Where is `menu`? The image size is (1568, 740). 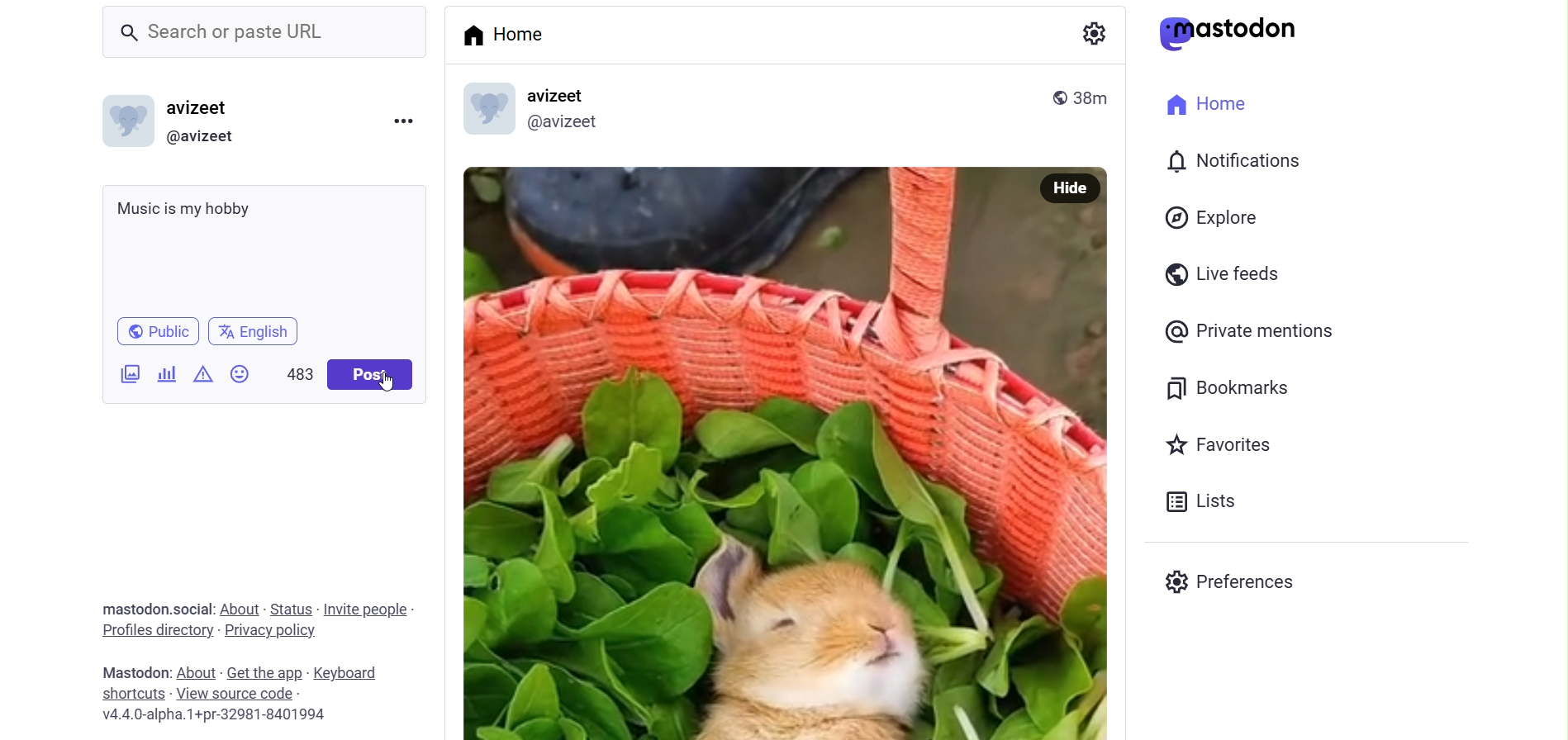 menu is located at coordinates (402, 122).